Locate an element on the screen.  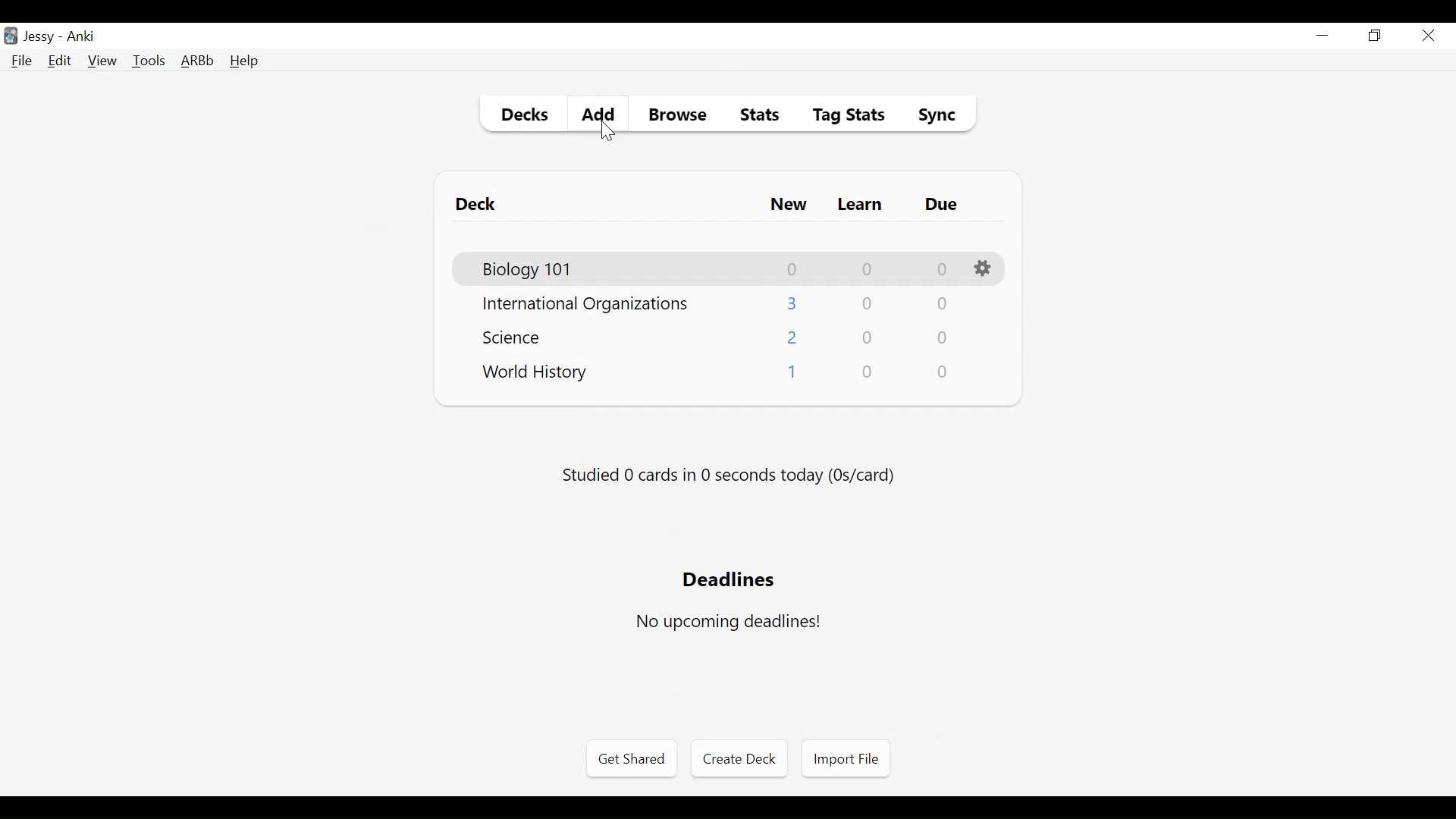
Get Shared is located at coordinates (631, 759).